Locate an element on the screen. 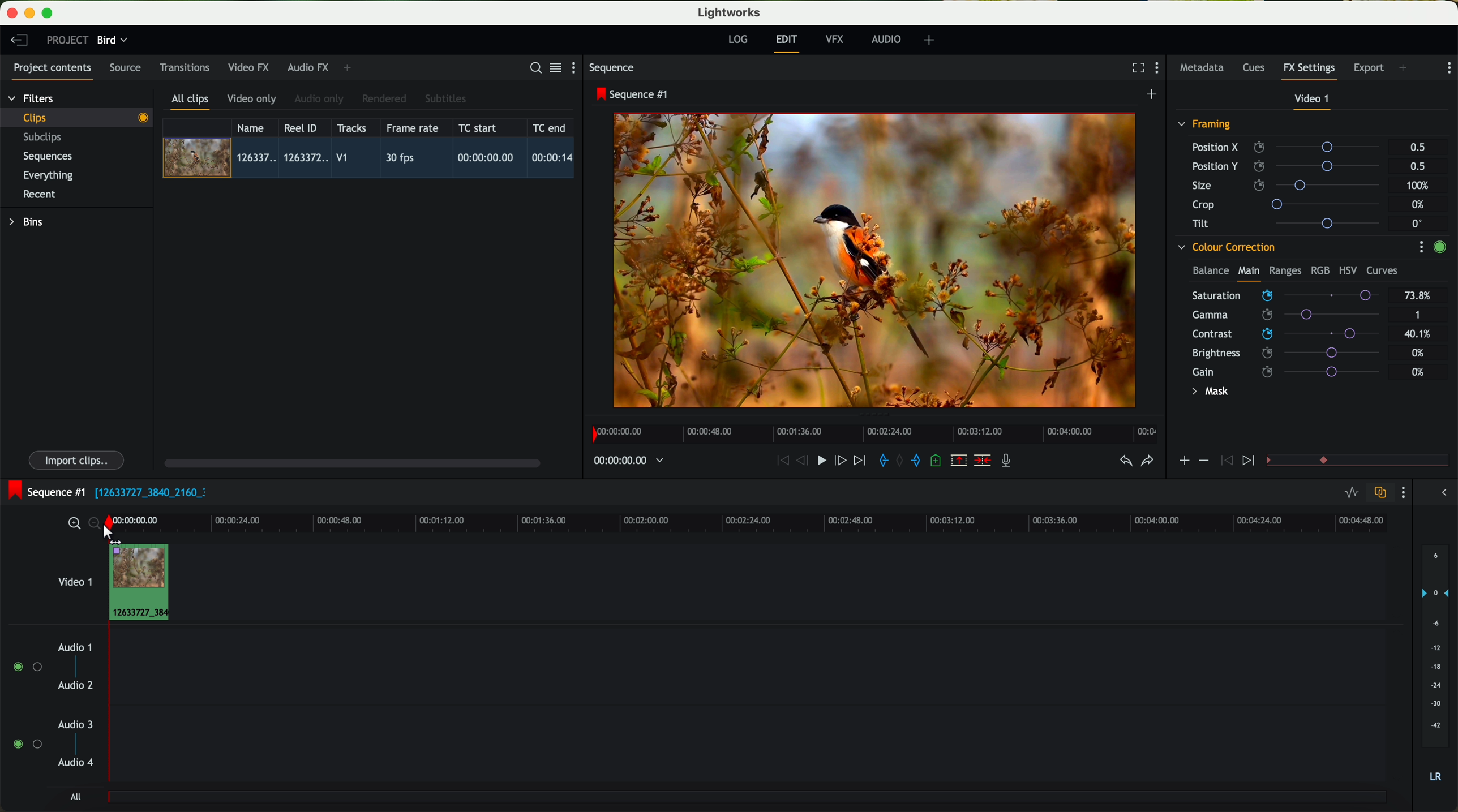 The height and width of the screenshot is (812, 1458). frame rate is located at coordinates (413, 128).